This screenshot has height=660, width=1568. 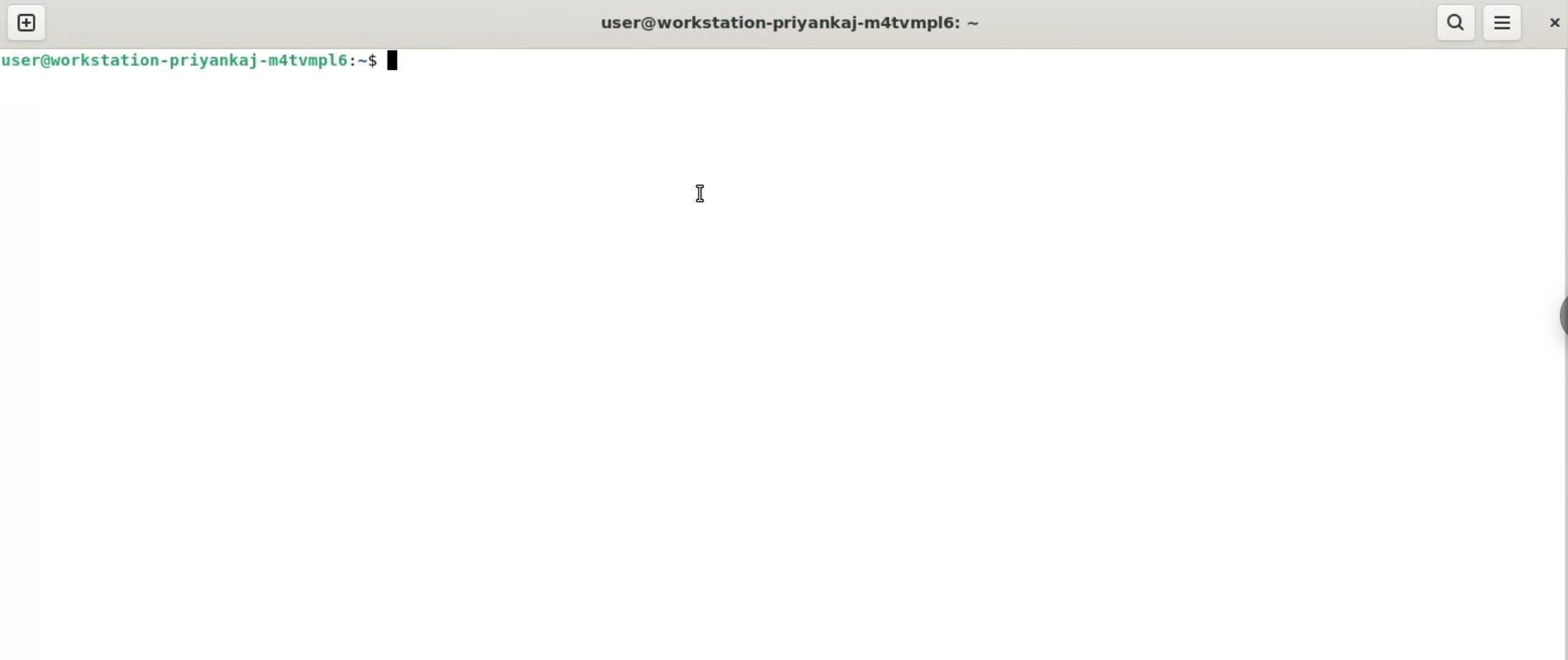 What do you see at coordinates (1549, 24) in the screenshot?
I see `close` at bounding box center [1549, 24].